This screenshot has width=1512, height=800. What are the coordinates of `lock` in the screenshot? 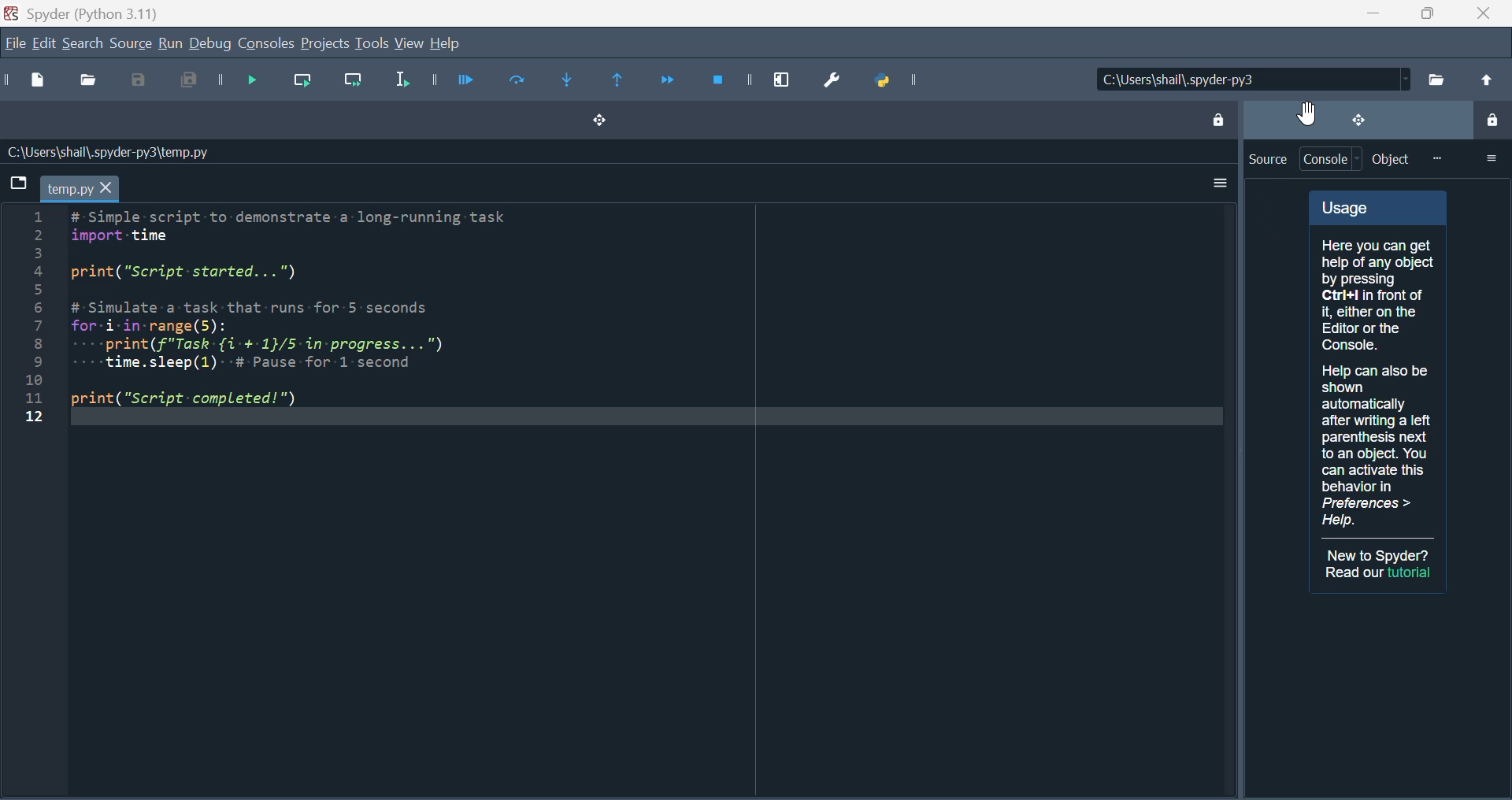 It's located at (1491, 122).